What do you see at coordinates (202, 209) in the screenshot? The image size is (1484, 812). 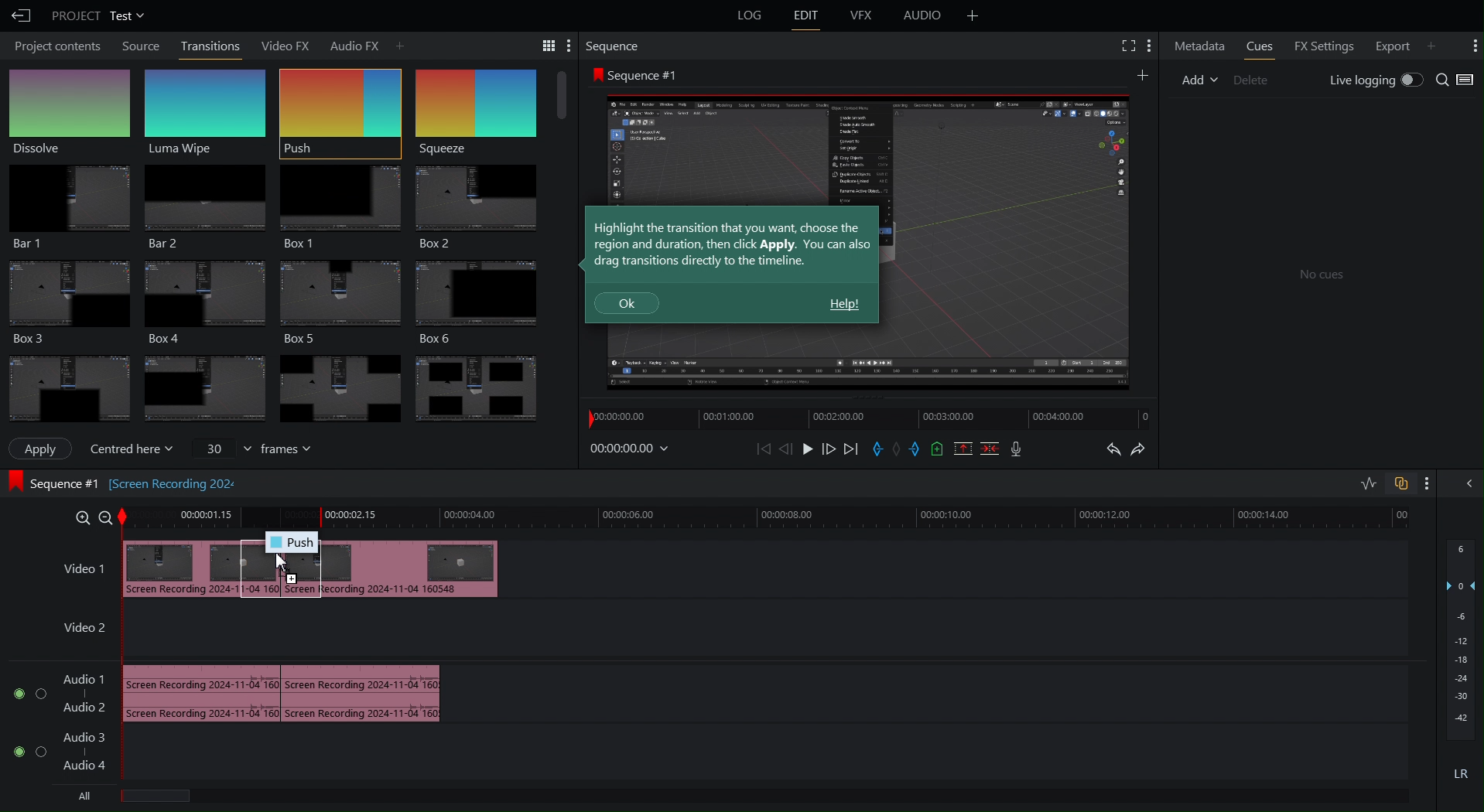 I see `Bar 2` at bounding box center [202, 209].